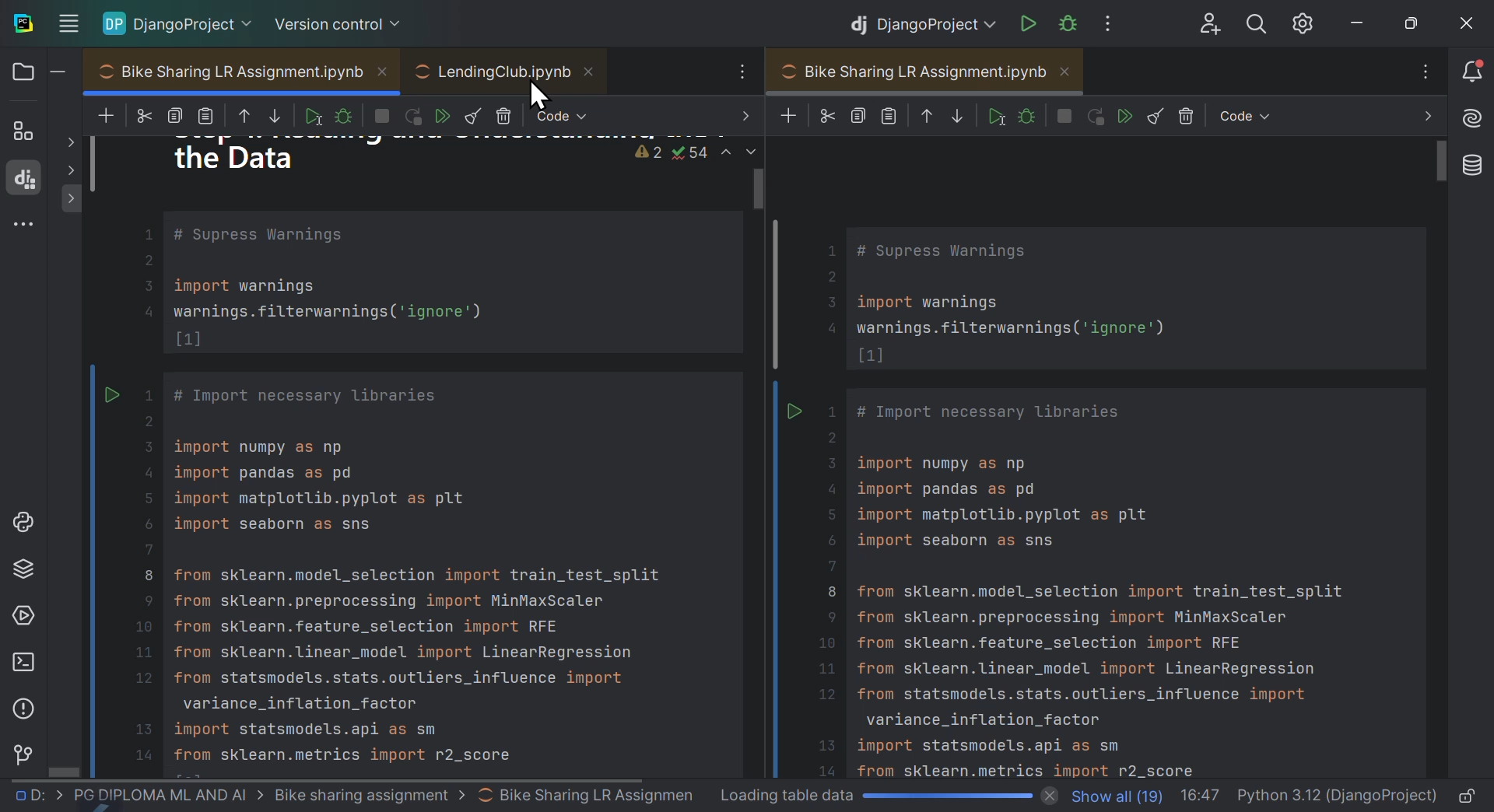  I want to click on Move sail down, so click(278, 116).